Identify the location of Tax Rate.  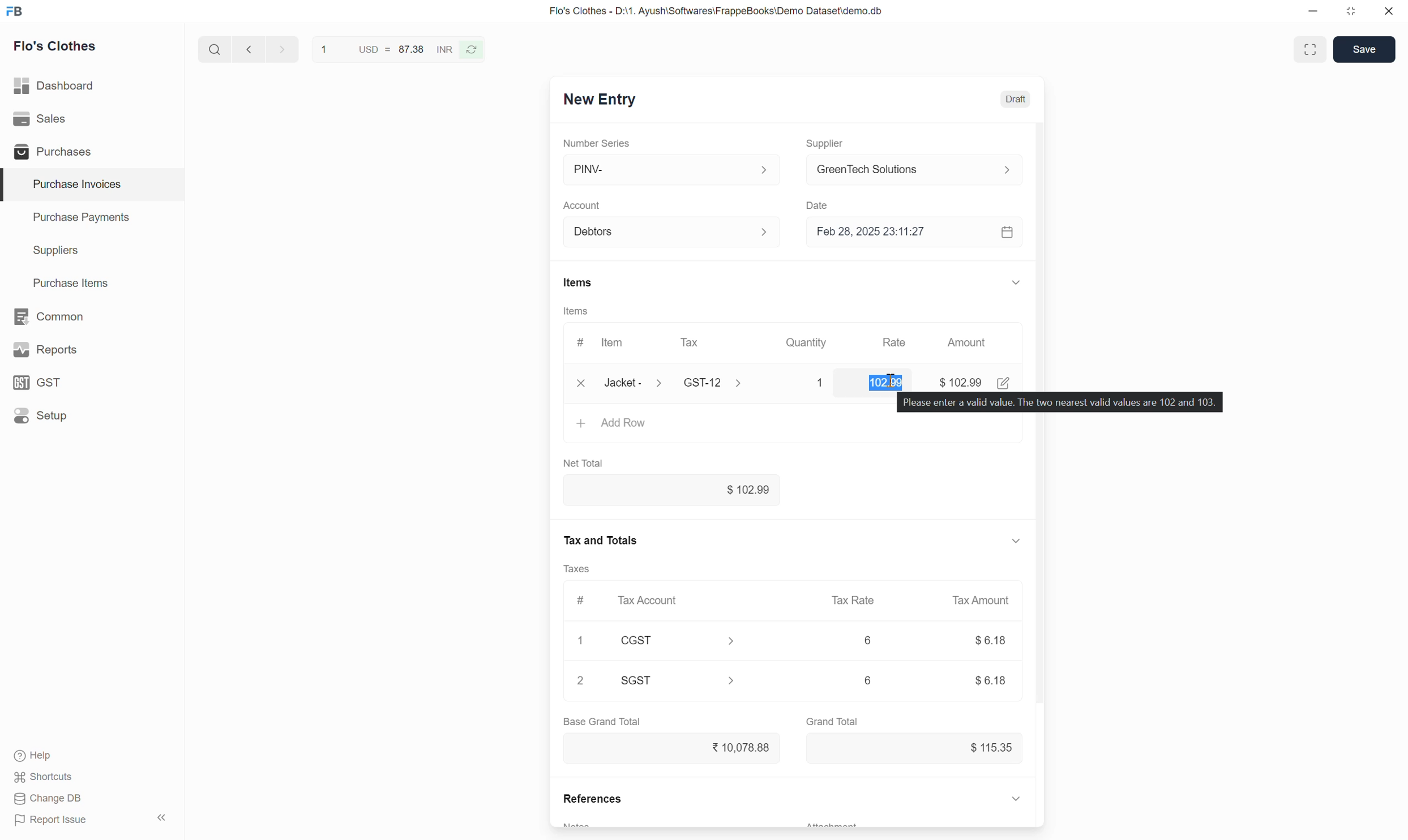
(854, 600).